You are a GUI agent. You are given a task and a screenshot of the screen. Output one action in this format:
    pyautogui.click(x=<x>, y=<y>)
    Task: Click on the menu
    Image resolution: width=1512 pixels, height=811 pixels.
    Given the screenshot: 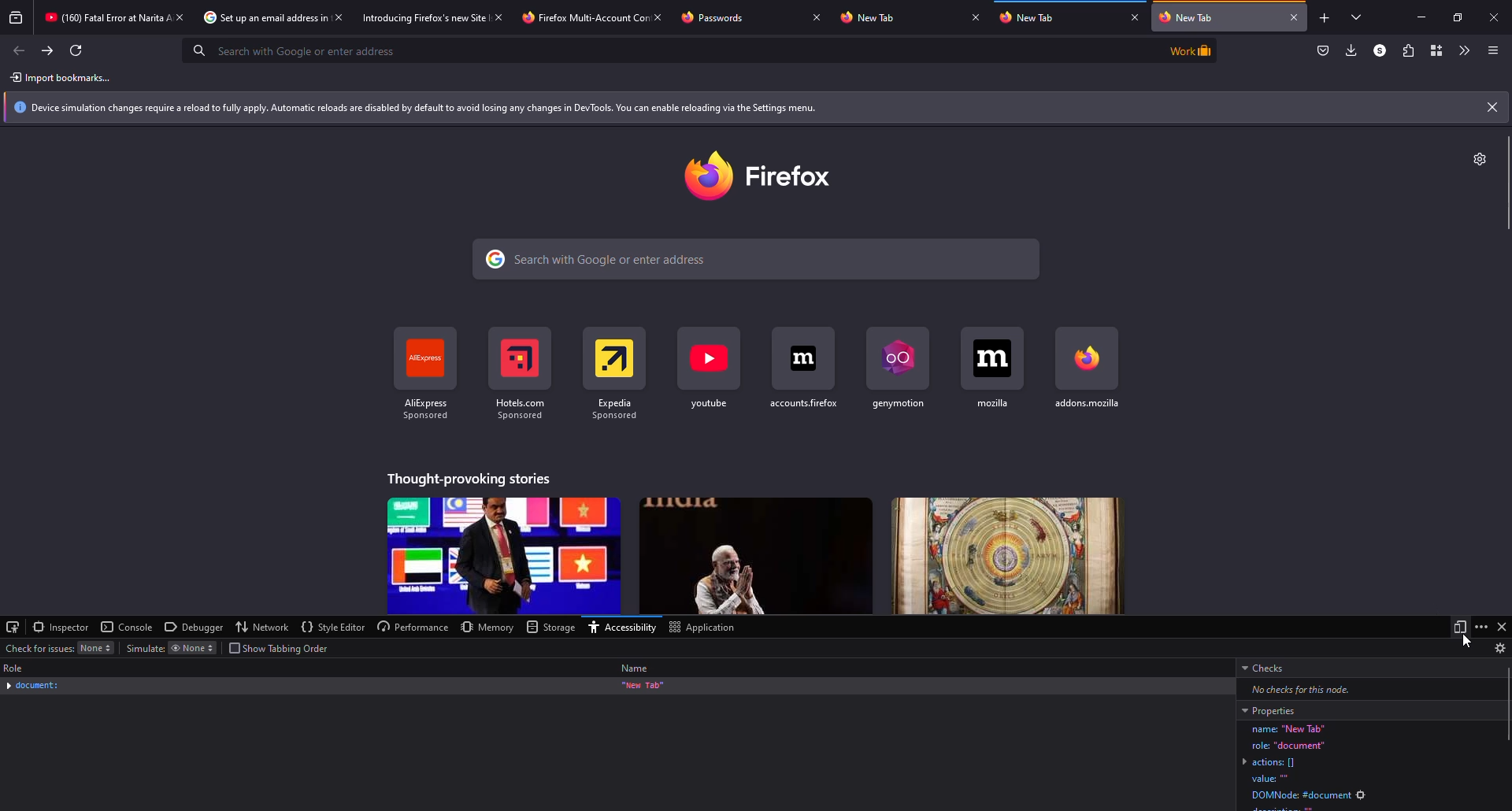 What is the action you would take?
    pyautogui.click(x=1493, y=51)
    